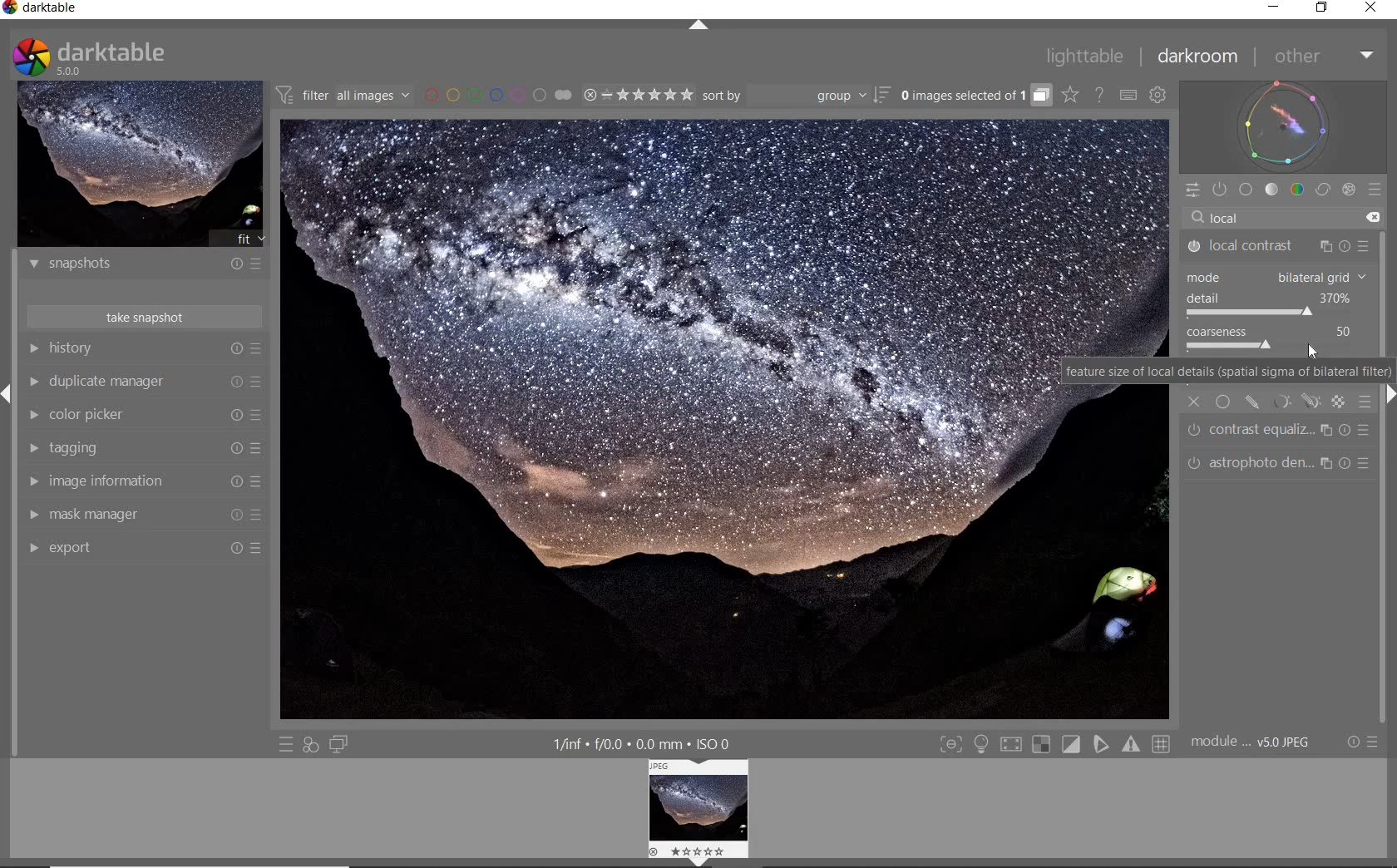  What do you see at coordinates (784, 99) in the screenshot?
I see `Sort by dropdown: group` at bounding box center [784, 99].